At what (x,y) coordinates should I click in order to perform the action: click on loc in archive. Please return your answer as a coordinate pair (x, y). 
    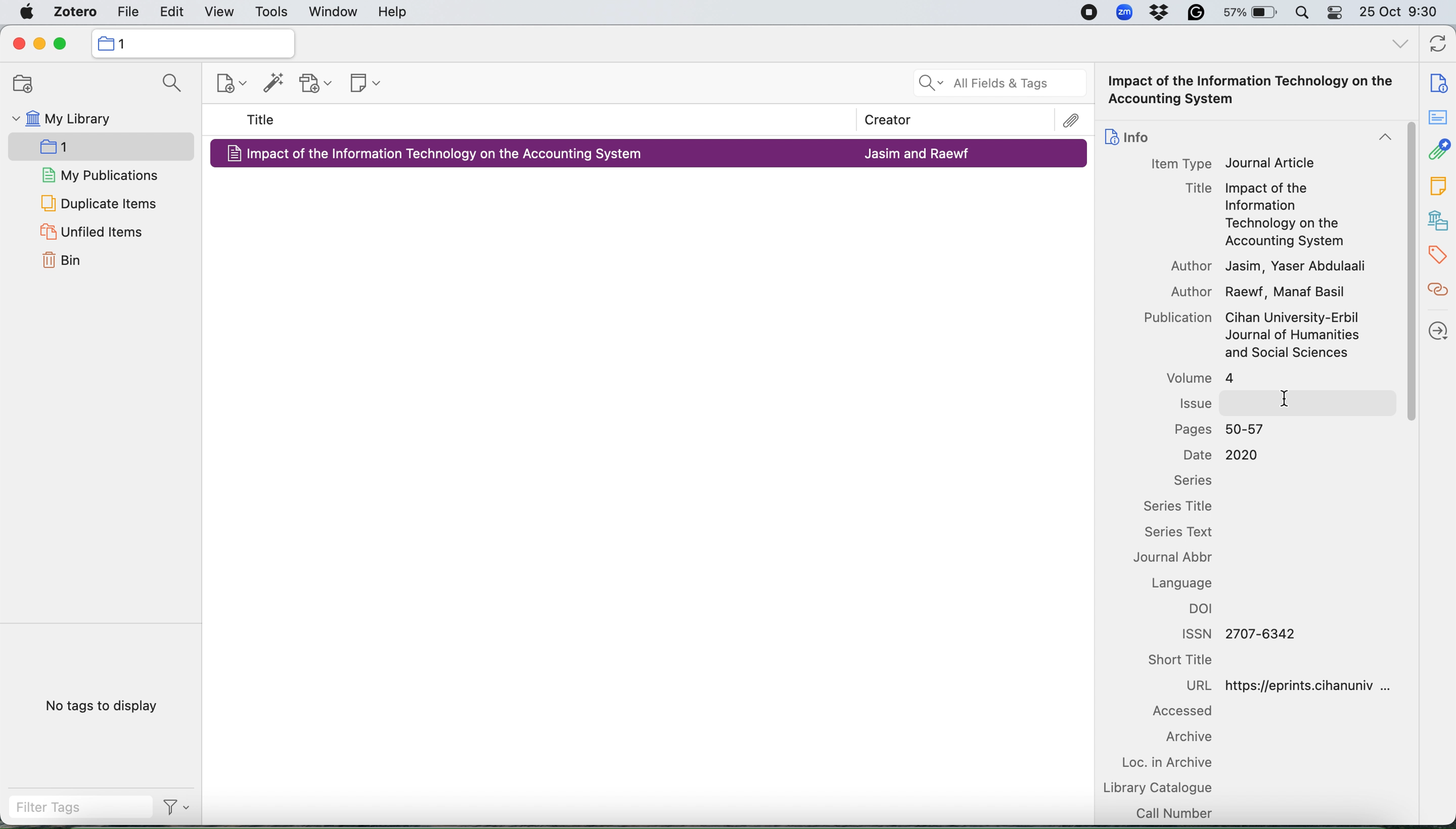
    Looking at the image, I should click on (1171, 763).